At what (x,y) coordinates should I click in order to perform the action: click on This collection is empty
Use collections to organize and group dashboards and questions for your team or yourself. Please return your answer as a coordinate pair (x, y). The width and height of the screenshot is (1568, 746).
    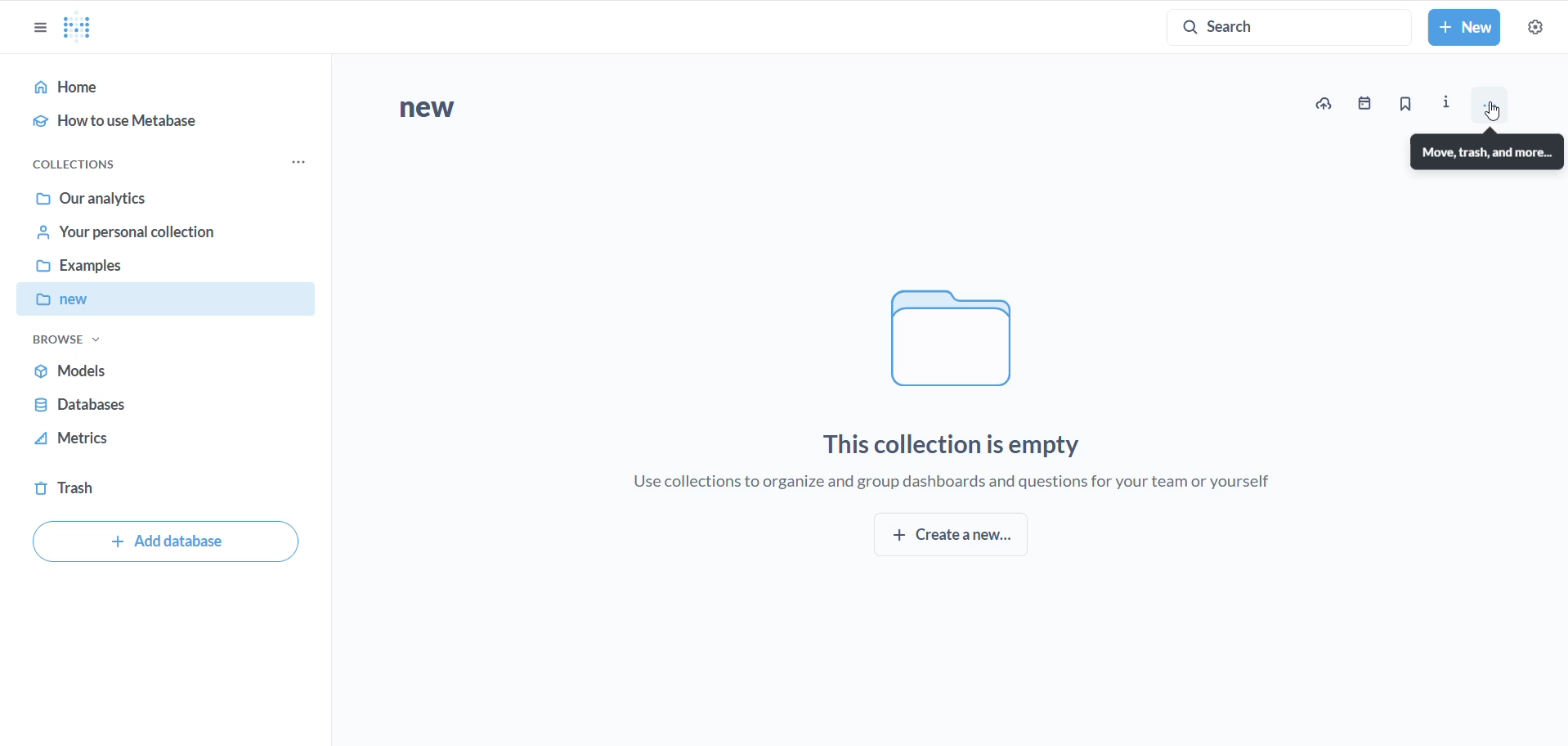
    Looking at the image, I should click on (970, 458).